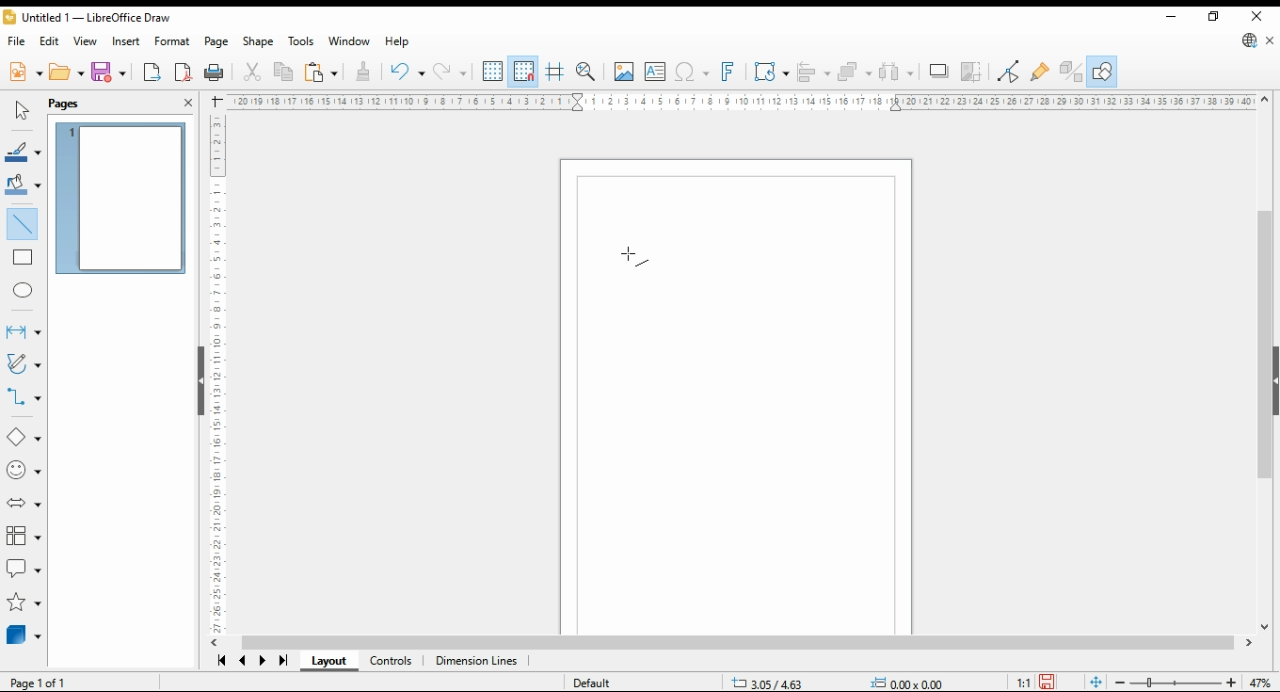 The width and height of the screenshot is (1280, 692). Describe the element at coordinates (41, 682) in the screenshot. I see `page 1 of 1` at that location.